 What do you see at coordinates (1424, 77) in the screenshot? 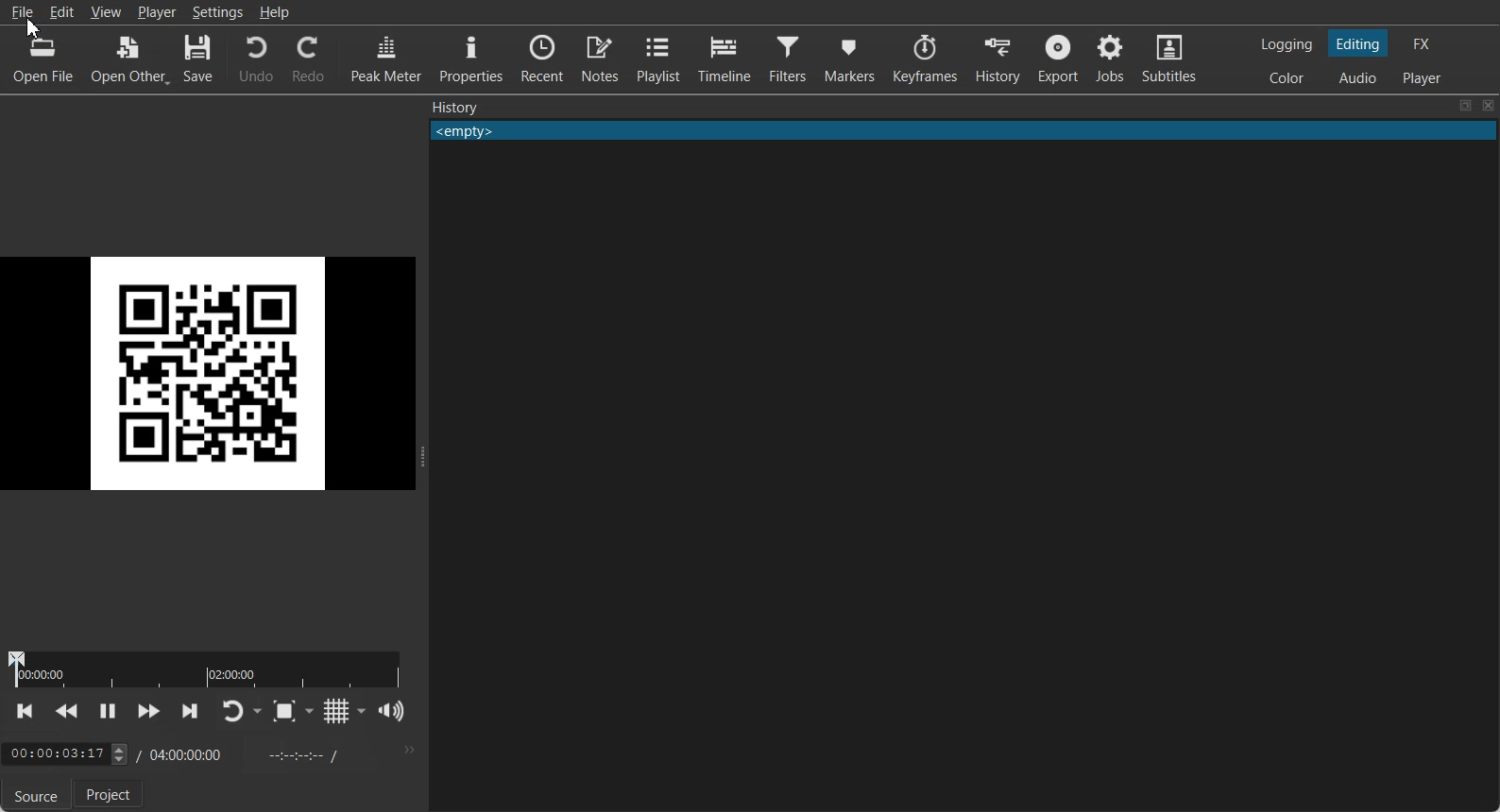
I see `Switching to Player Only Layout` at bounding box center [1424, 77].